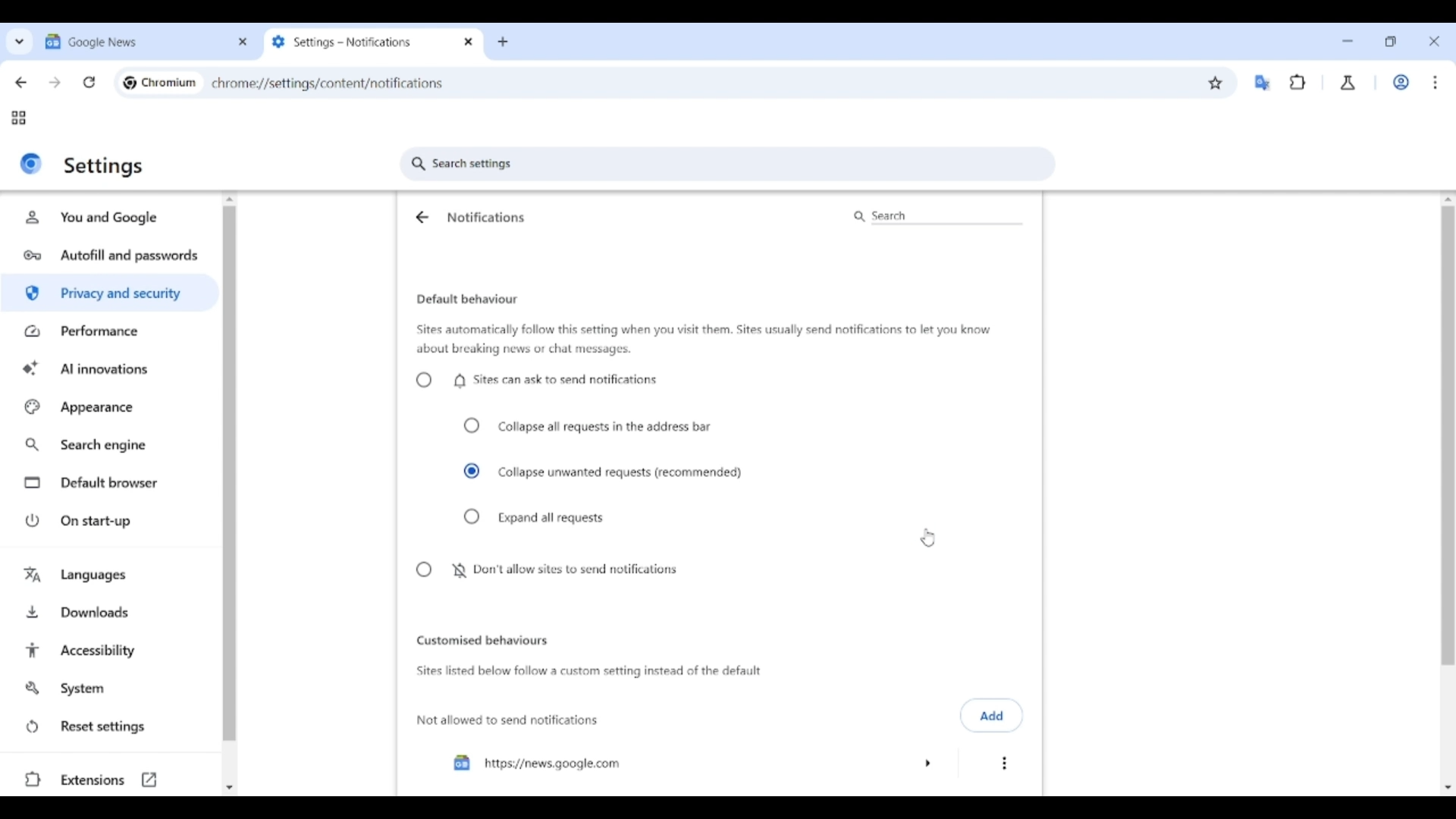 The image size is (1456, 819). Describe the element at coordinates (112, 520) in the screenshot. I see `On start-up` at that location.